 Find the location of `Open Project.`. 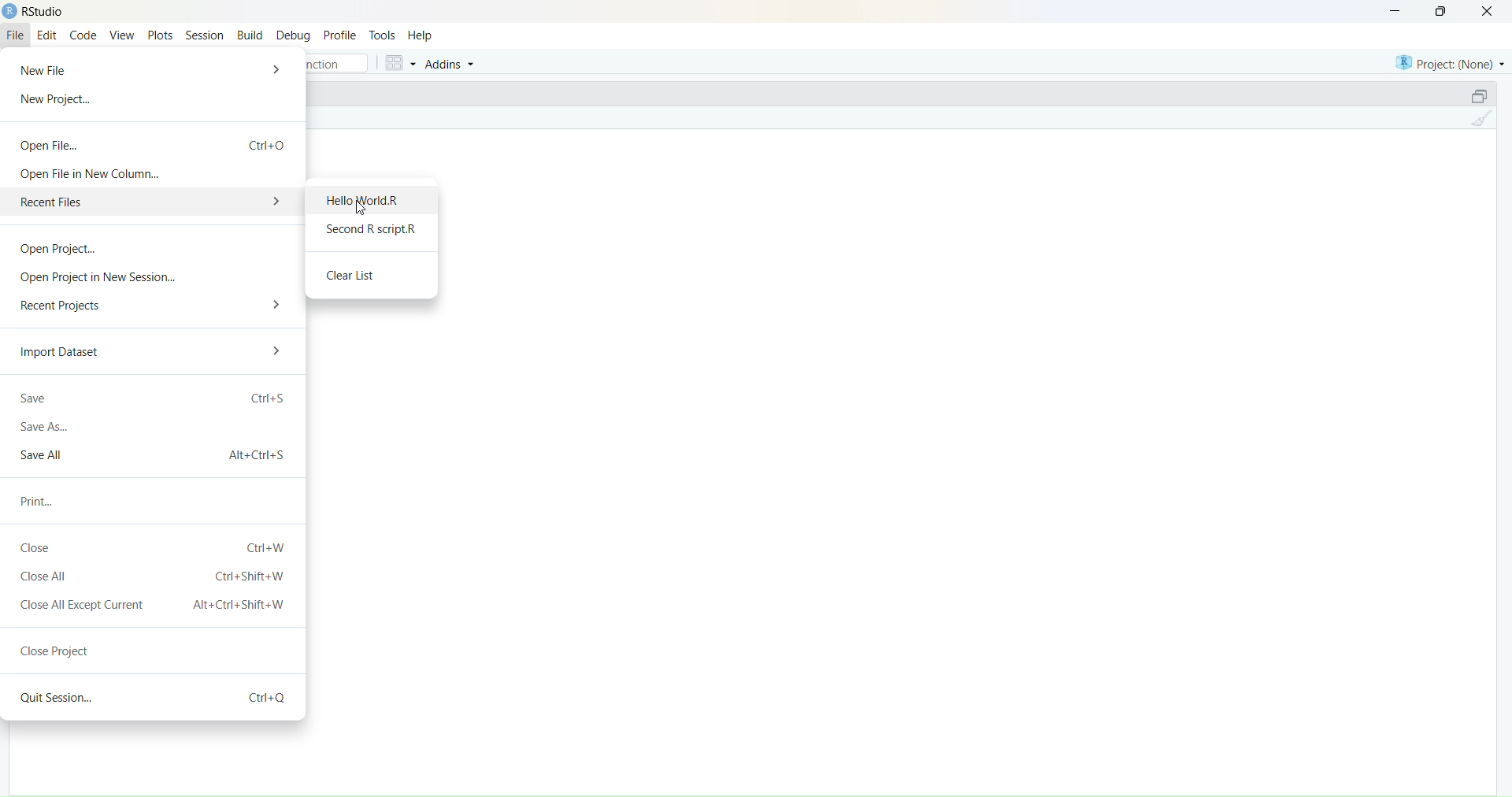

Open Project. is located at coordinates (66, 246).